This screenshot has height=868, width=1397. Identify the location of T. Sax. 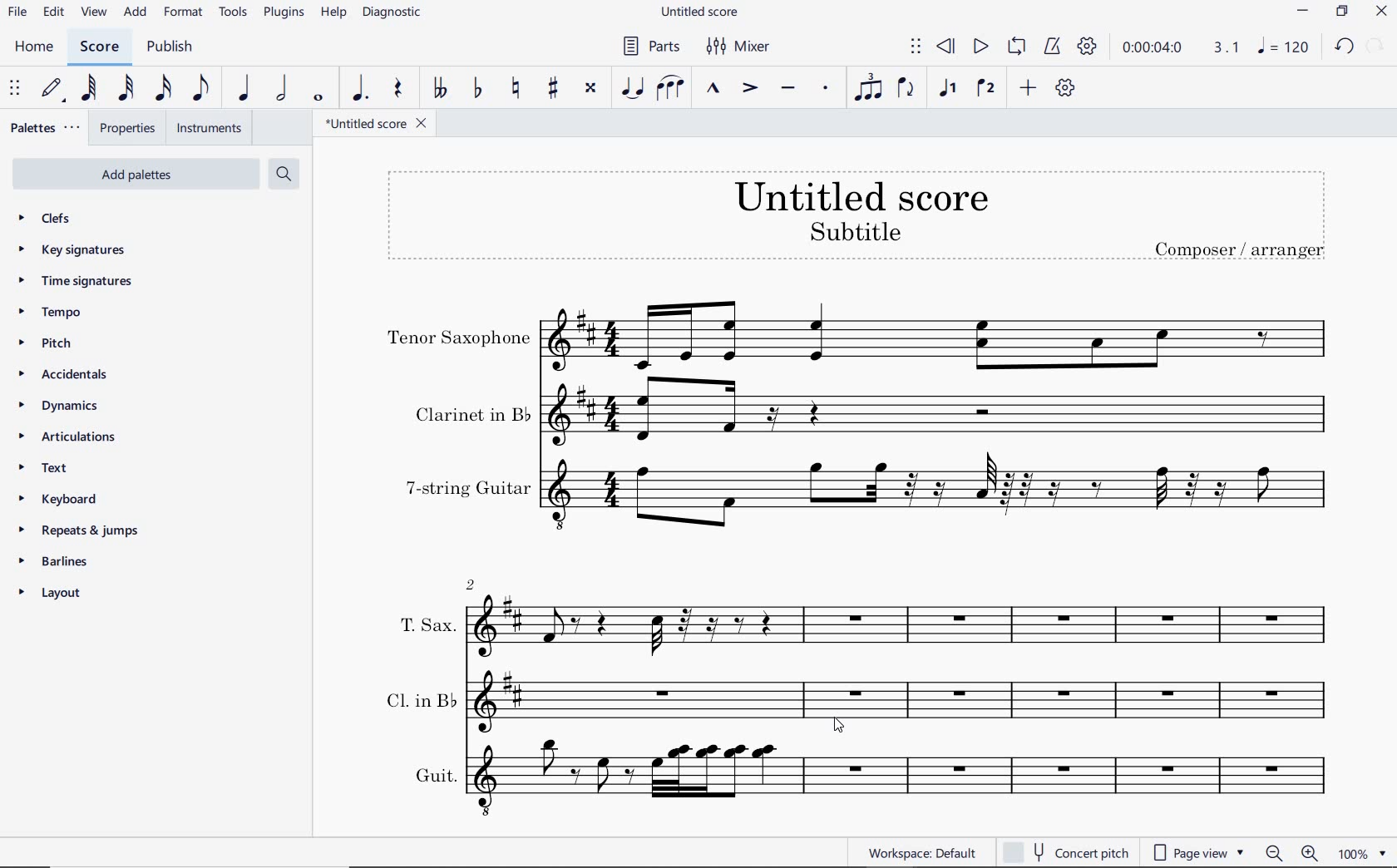
(856, 620).